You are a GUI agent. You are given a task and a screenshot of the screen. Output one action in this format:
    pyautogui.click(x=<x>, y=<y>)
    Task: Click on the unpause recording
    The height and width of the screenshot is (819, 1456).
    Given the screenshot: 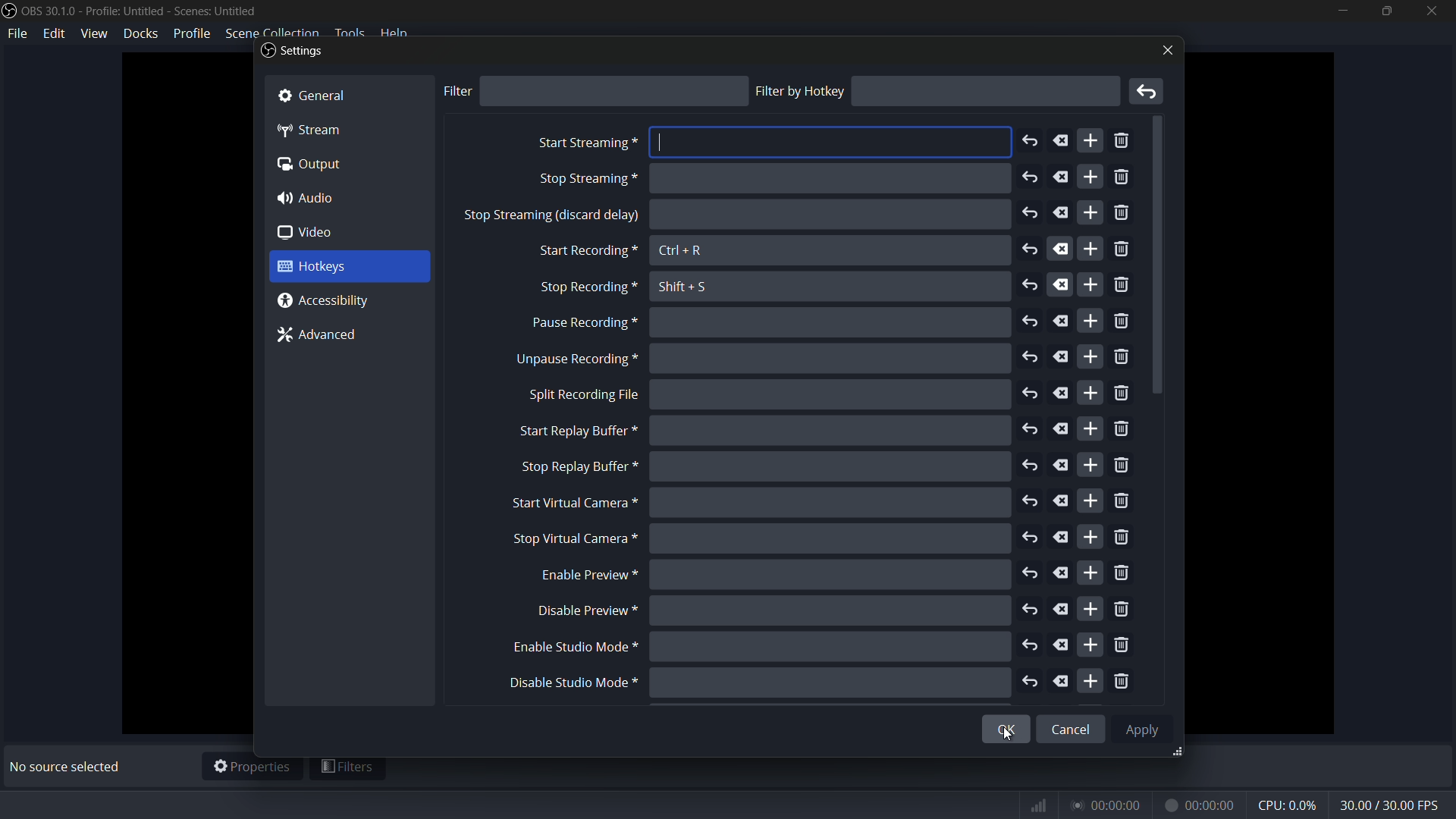 What is the action you would take?
    pyautogui.click(x=575, y=359)
    